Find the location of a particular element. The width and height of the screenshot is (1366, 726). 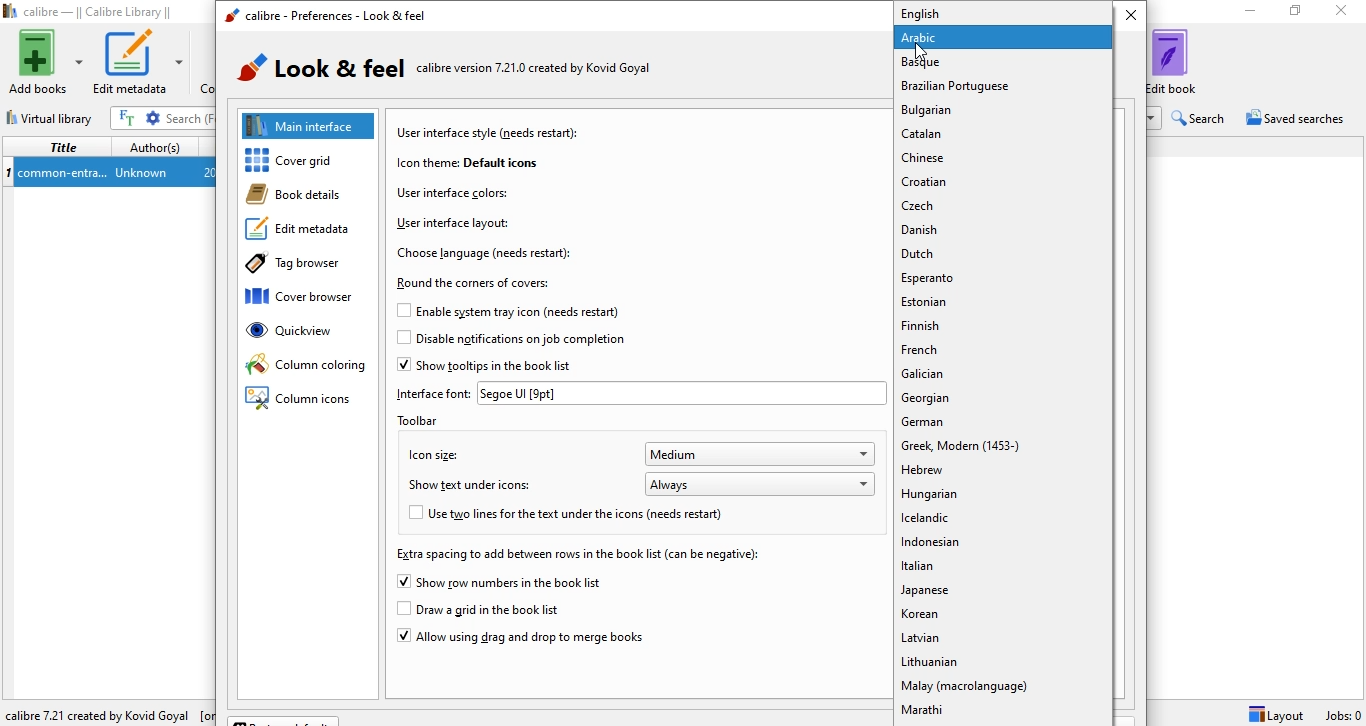

czech is located at coordinates (1003, 205).